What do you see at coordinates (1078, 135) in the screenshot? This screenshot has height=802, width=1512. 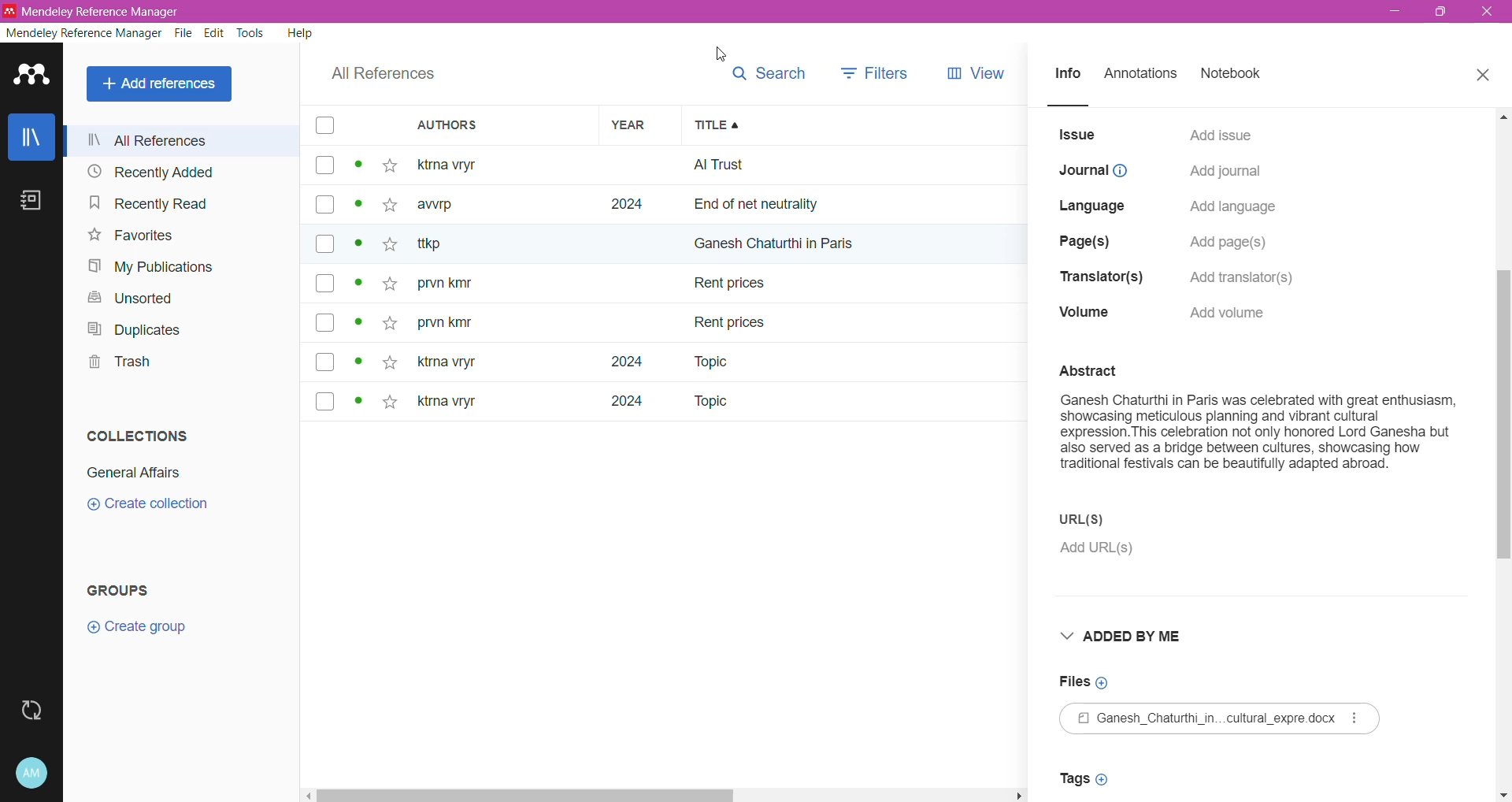 I see `Issue` at bounding box center [1078, 135].